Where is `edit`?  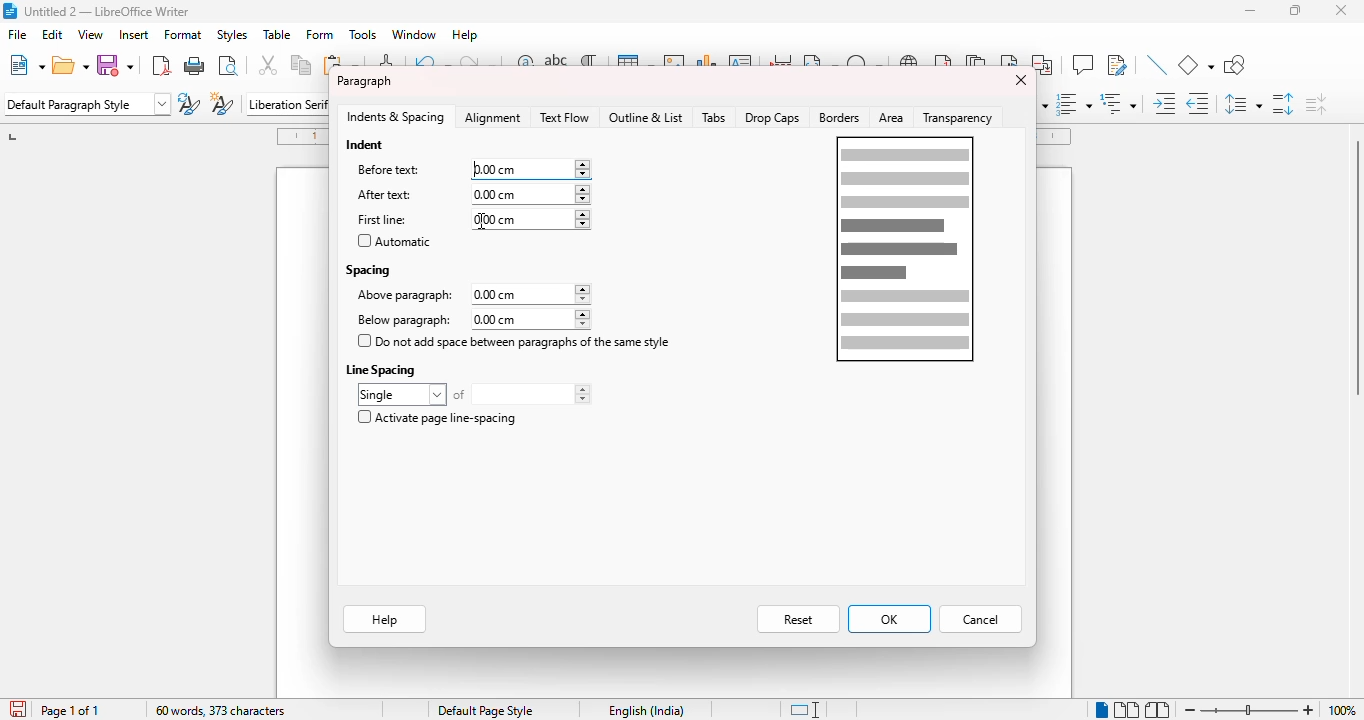 edit is located at coordinates (53, 34).